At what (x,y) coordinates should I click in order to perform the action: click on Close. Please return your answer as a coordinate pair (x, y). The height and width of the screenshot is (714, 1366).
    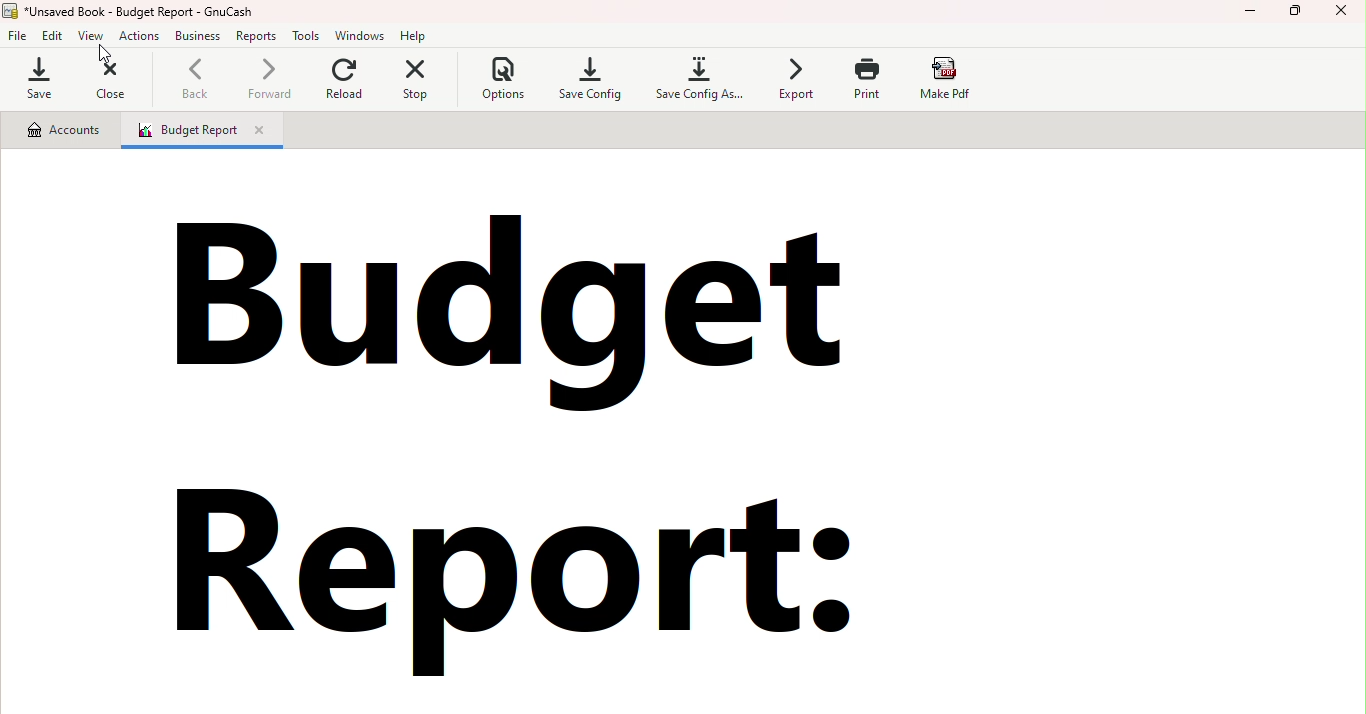
    Looking at the image, I should click on (1343, 18).